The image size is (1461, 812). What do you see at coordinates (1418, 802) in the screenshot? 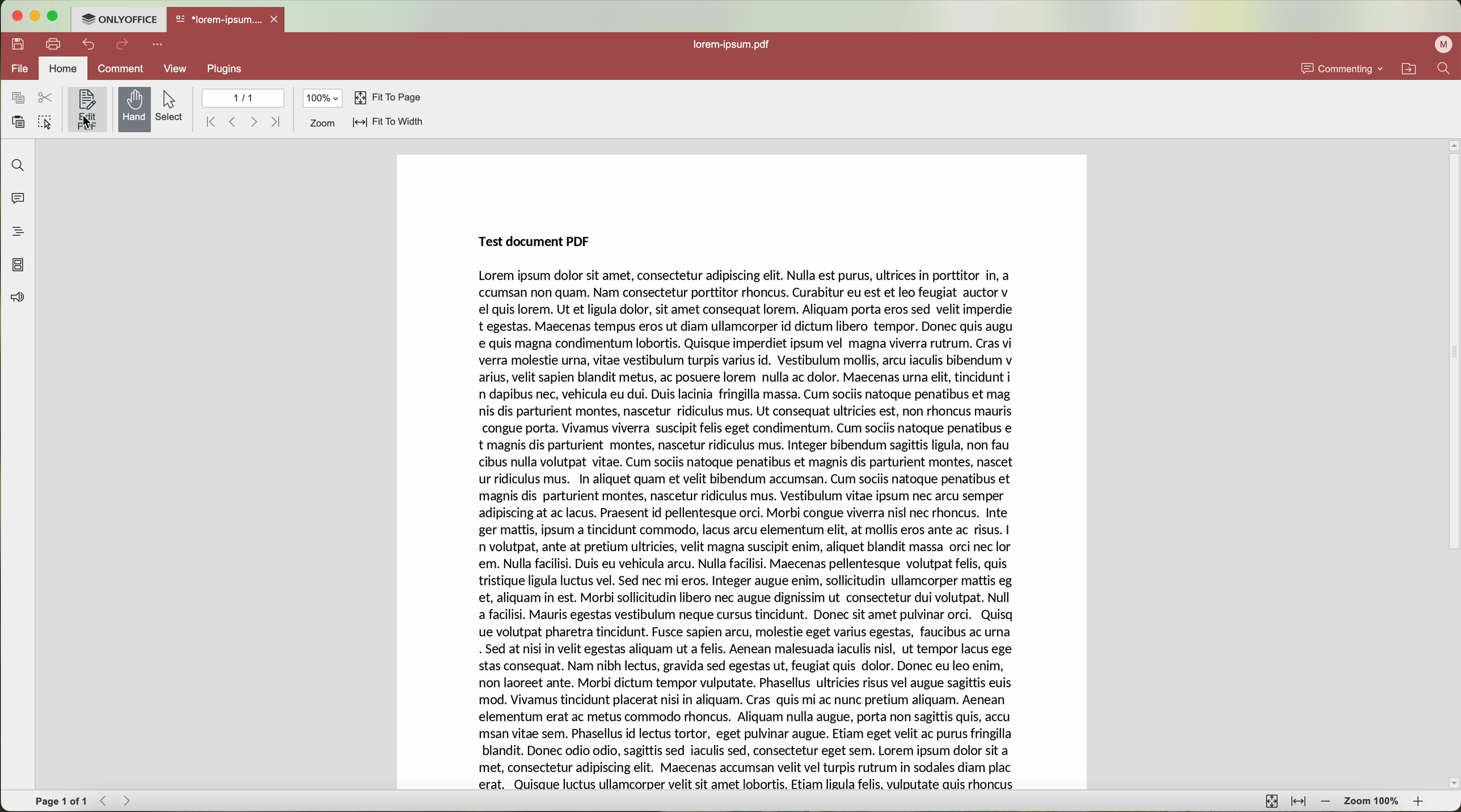
I see `zoom in` at bounding box center [1418, 802].